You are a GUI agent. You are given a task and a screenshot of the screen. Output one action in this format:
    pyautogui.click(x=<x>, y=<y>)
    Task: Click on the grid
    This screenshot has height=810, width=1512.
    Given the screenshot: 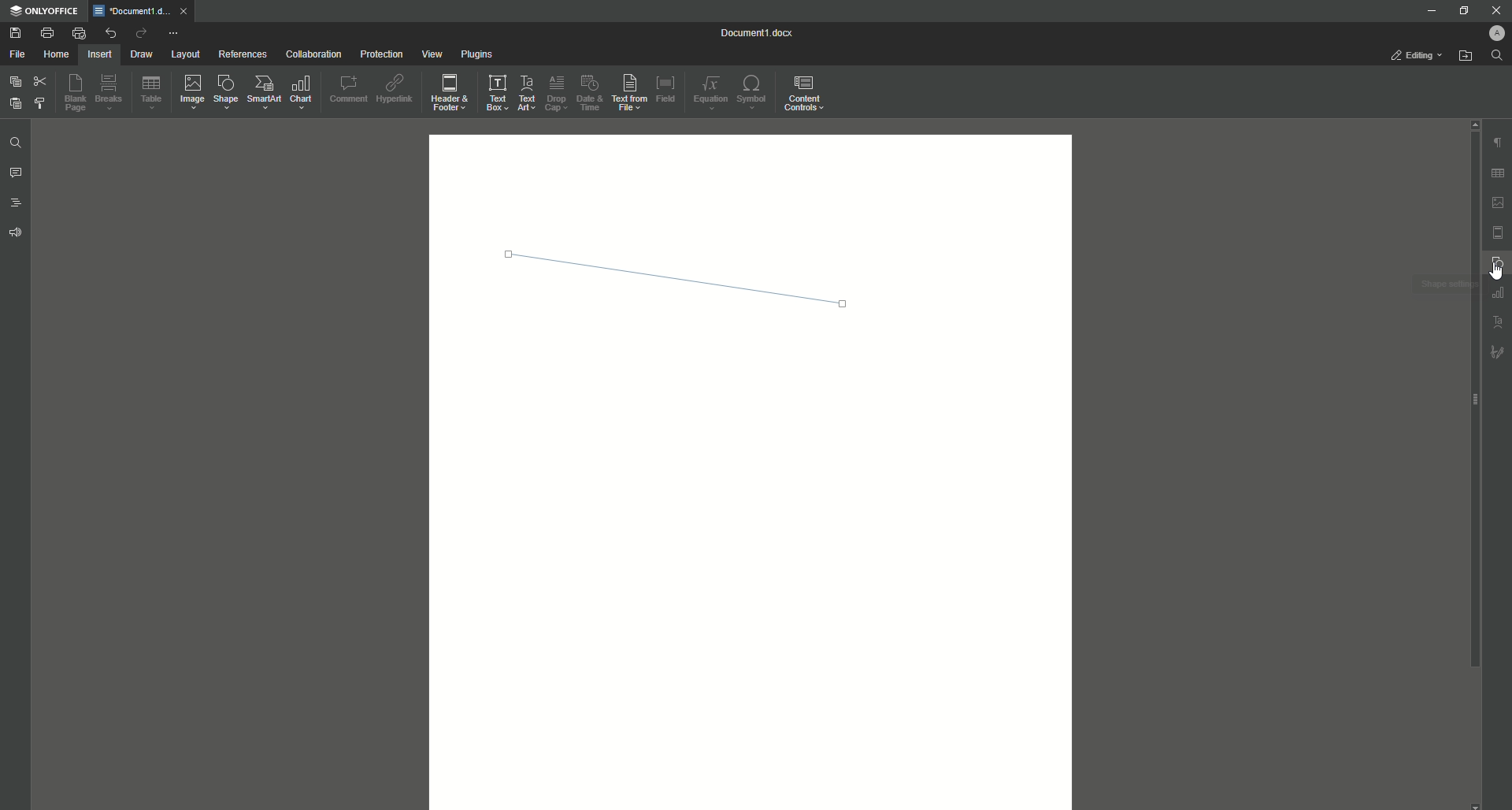 What is the action you would take?
    pyautogui.click(x=1496, y=170)
    